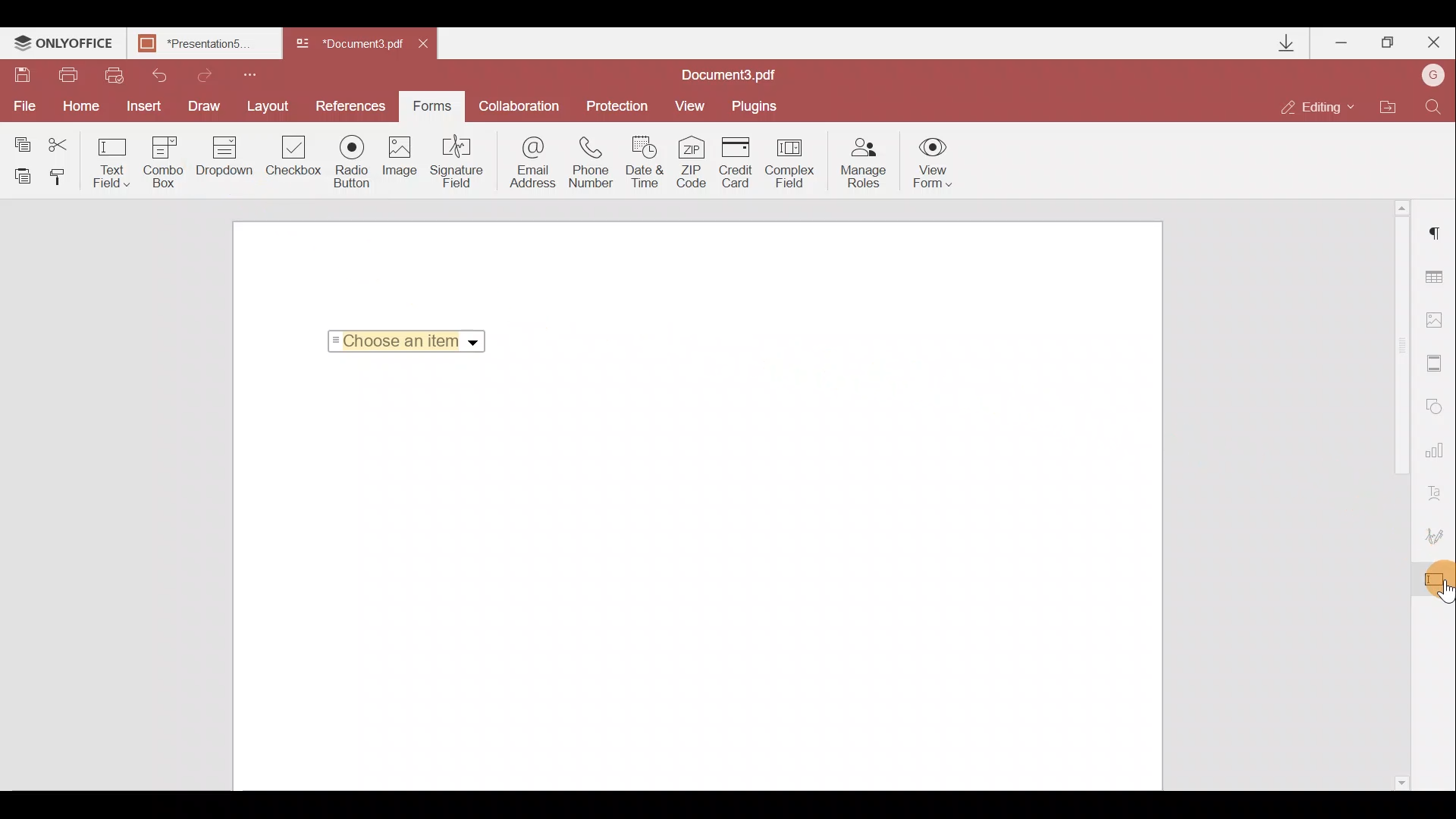 The width and height of the screenshot is (1456, 819). Describe the element at coordinates (431, 47) in the screenshot. I see `Close` at that location.